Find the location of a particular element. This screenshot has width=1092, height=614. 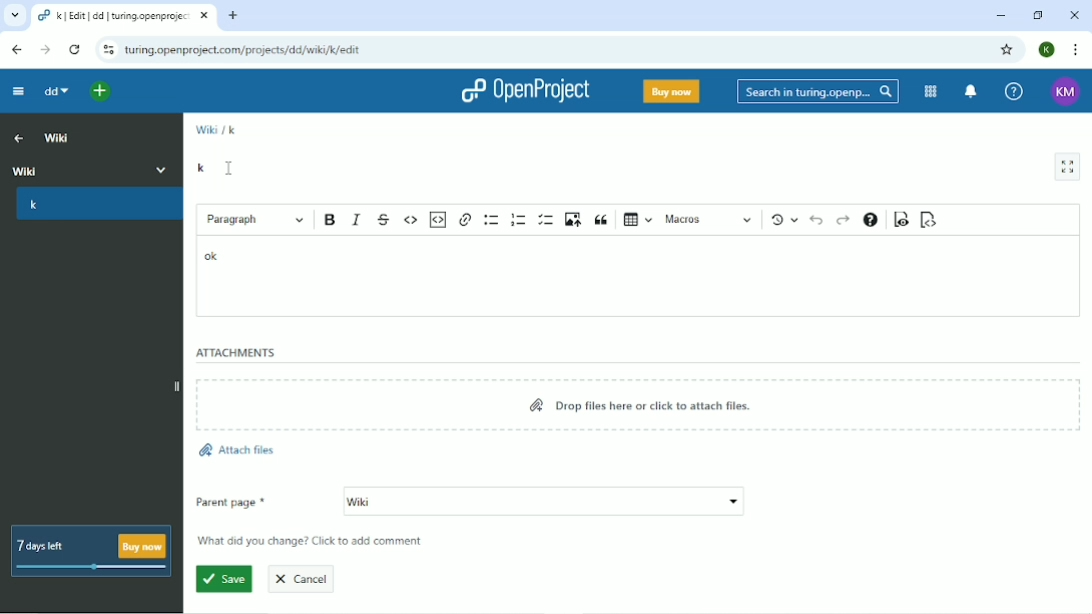

Customize and control google chrome is located at coordinates (1074, 50).